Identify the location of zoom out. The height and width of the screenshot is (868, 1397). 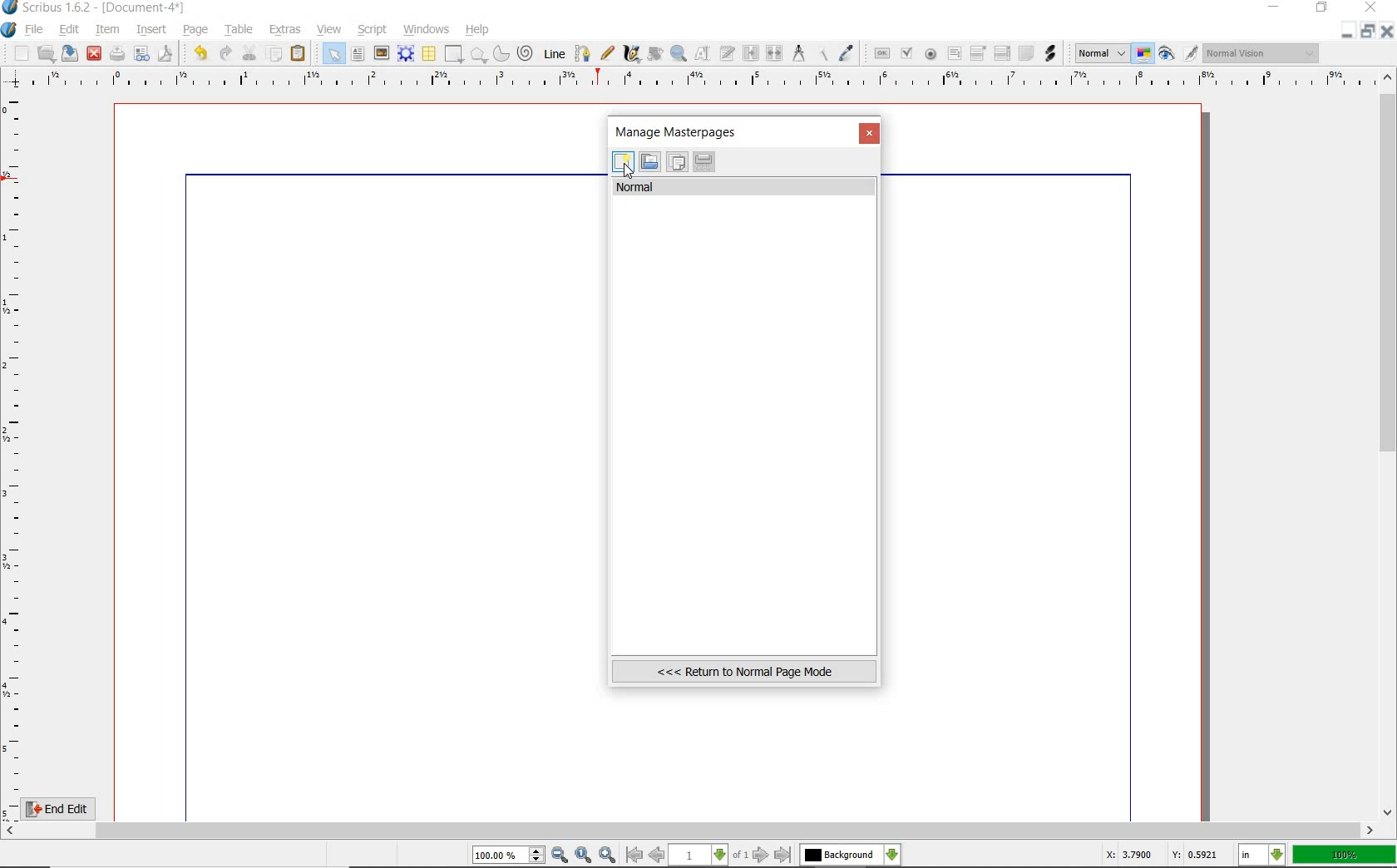
(560, 856).